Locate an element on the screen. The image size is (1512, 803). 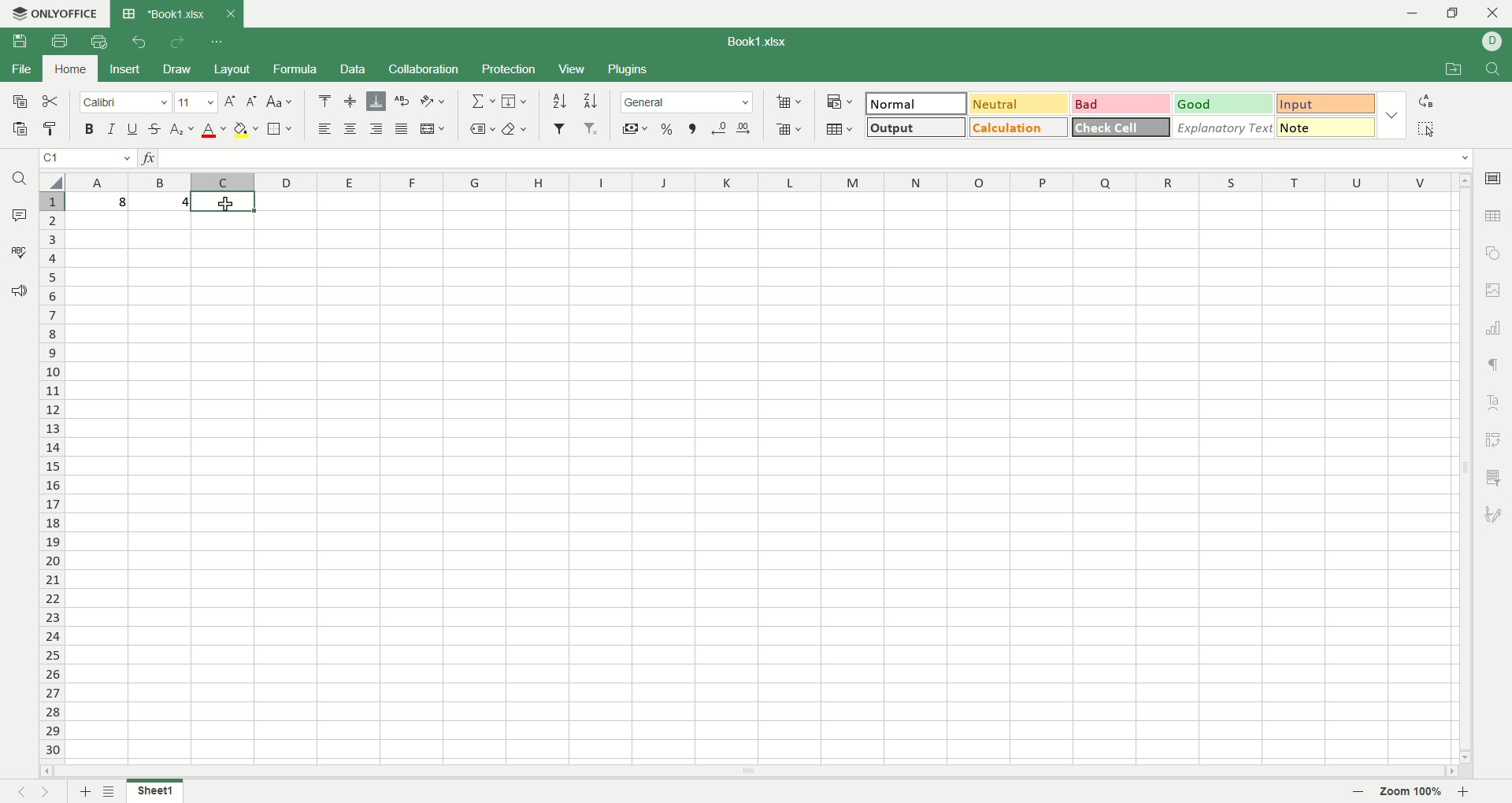
draw is located at coordinates (176, 68).